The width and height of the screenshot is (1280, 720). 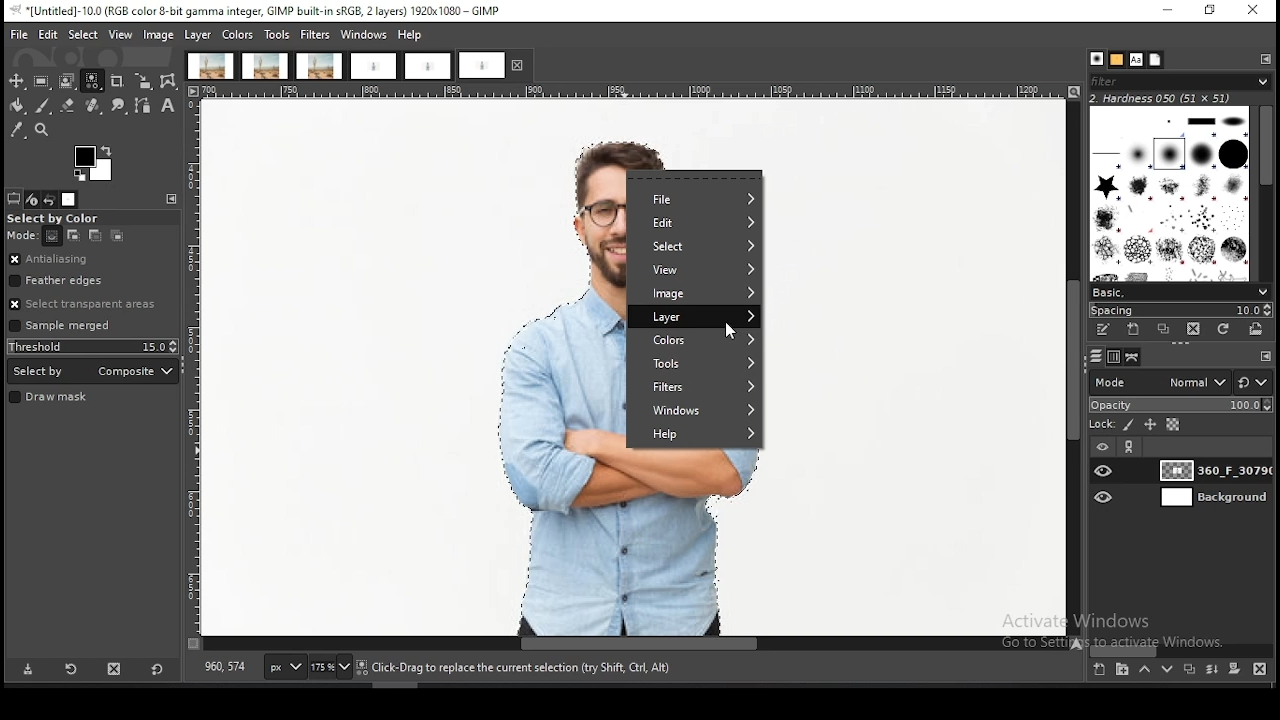 What do you see at coordinates (87, 304) in the screenshot?
I see `select transparent areas` at bounding box center [87, 304].